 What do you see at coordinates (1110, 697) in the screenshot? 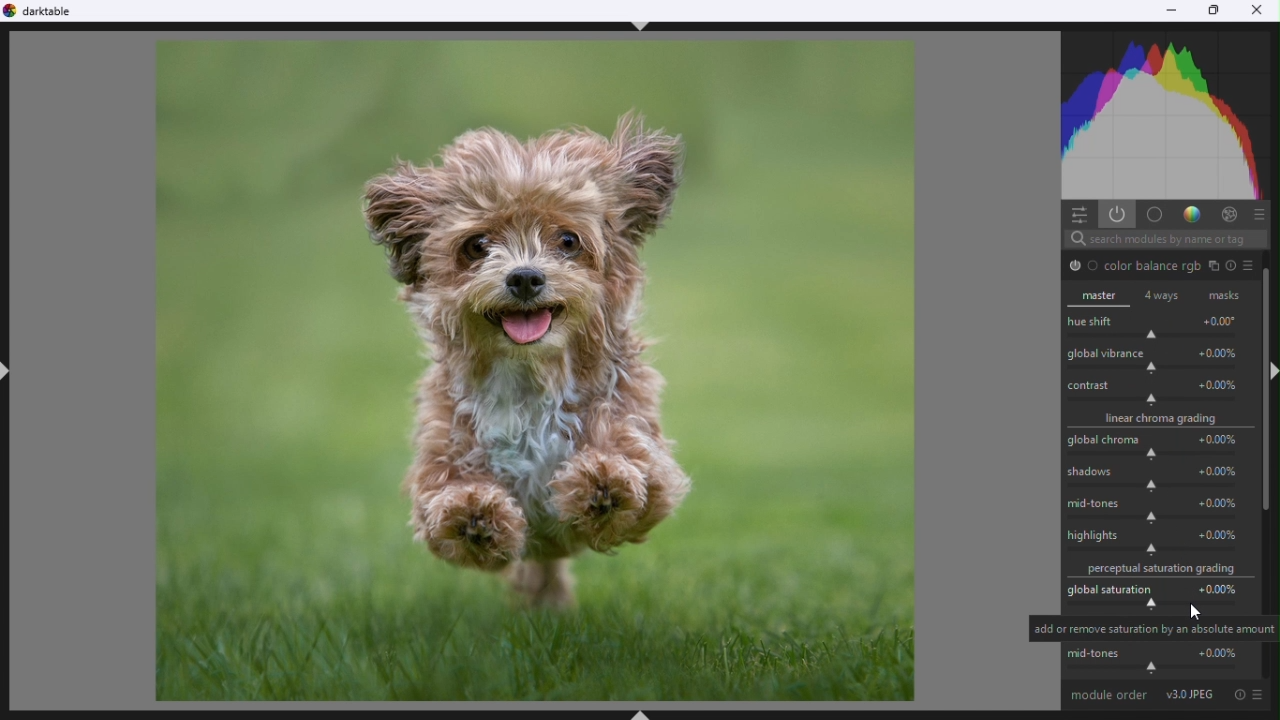
I see `Module order` at bounding box center [1110, 697].